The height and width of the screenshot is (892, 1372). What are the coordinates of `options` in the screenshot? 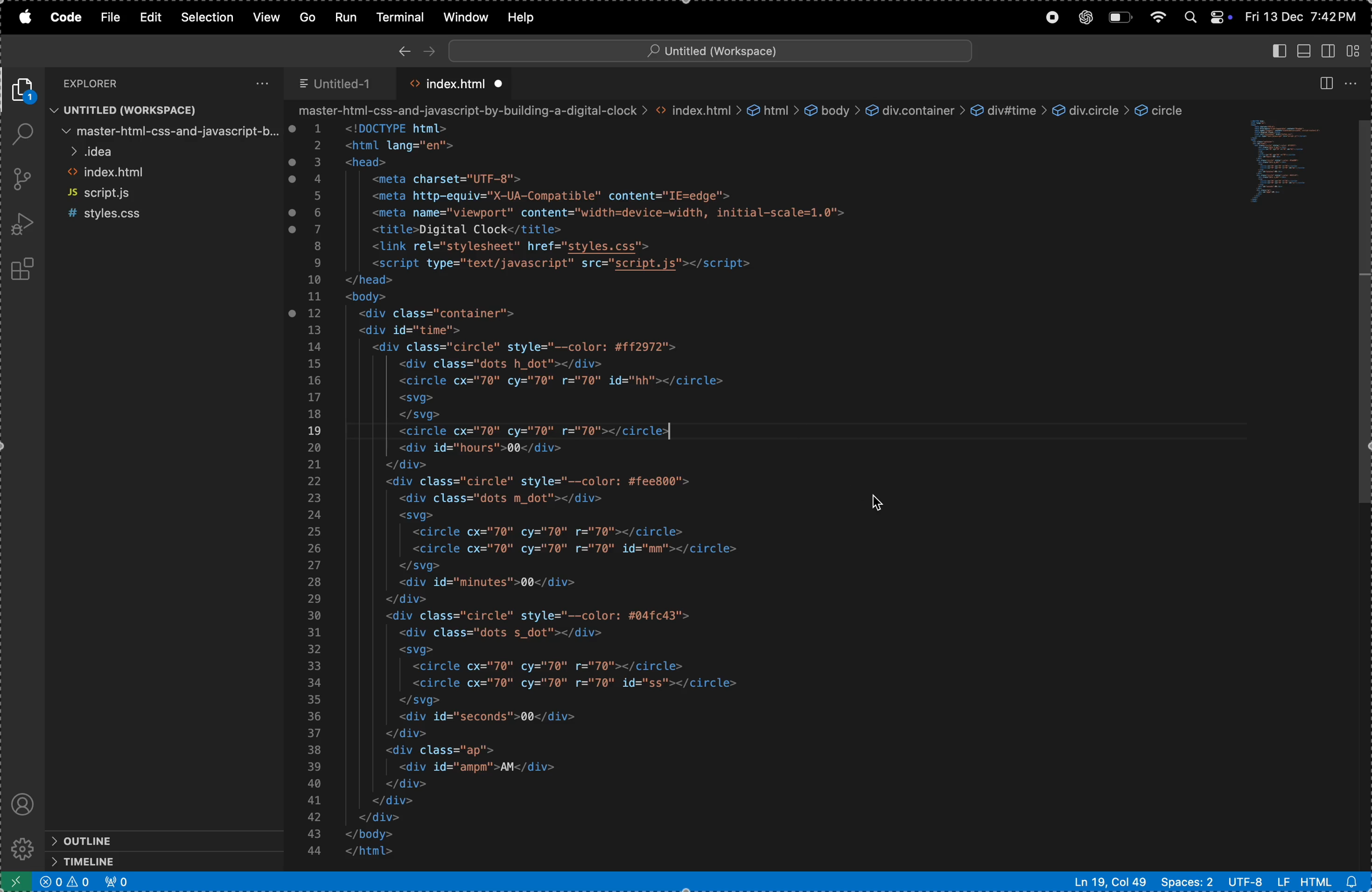 It's located at (259, 82).